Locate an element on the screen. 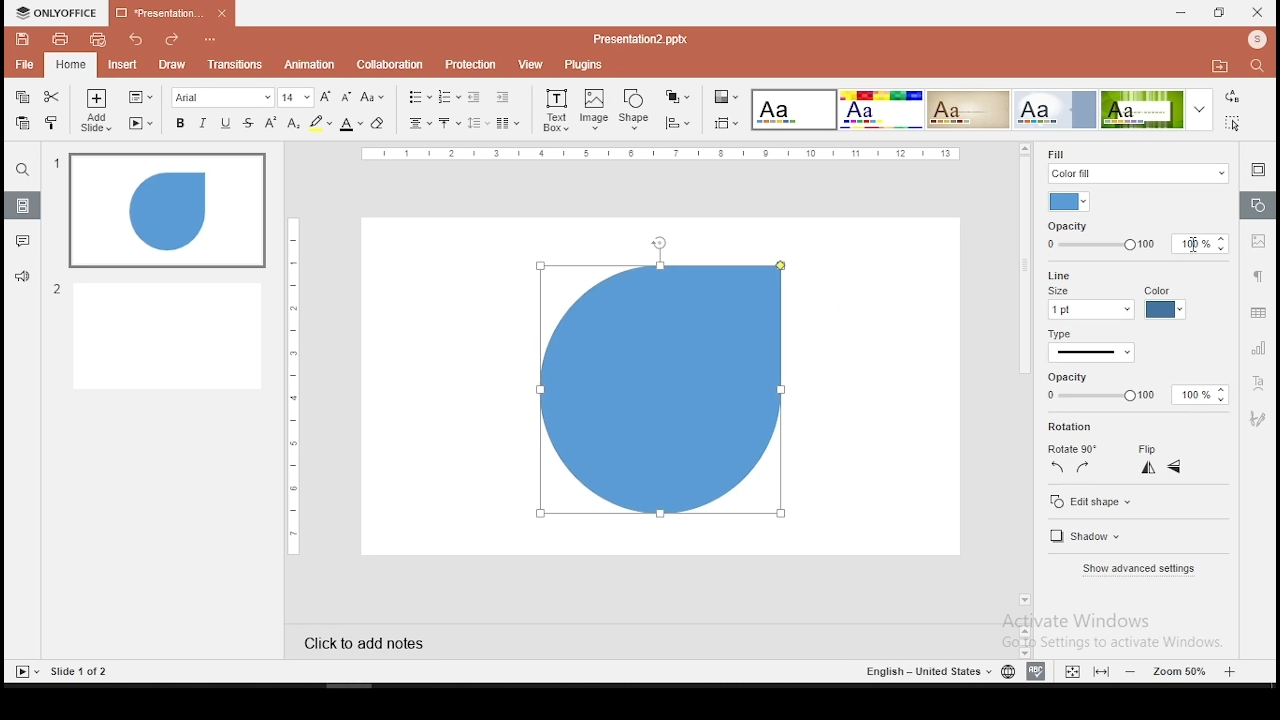 The height and width of the screenshot is (720, 1280). flip is located at coordinates (1148, 450).